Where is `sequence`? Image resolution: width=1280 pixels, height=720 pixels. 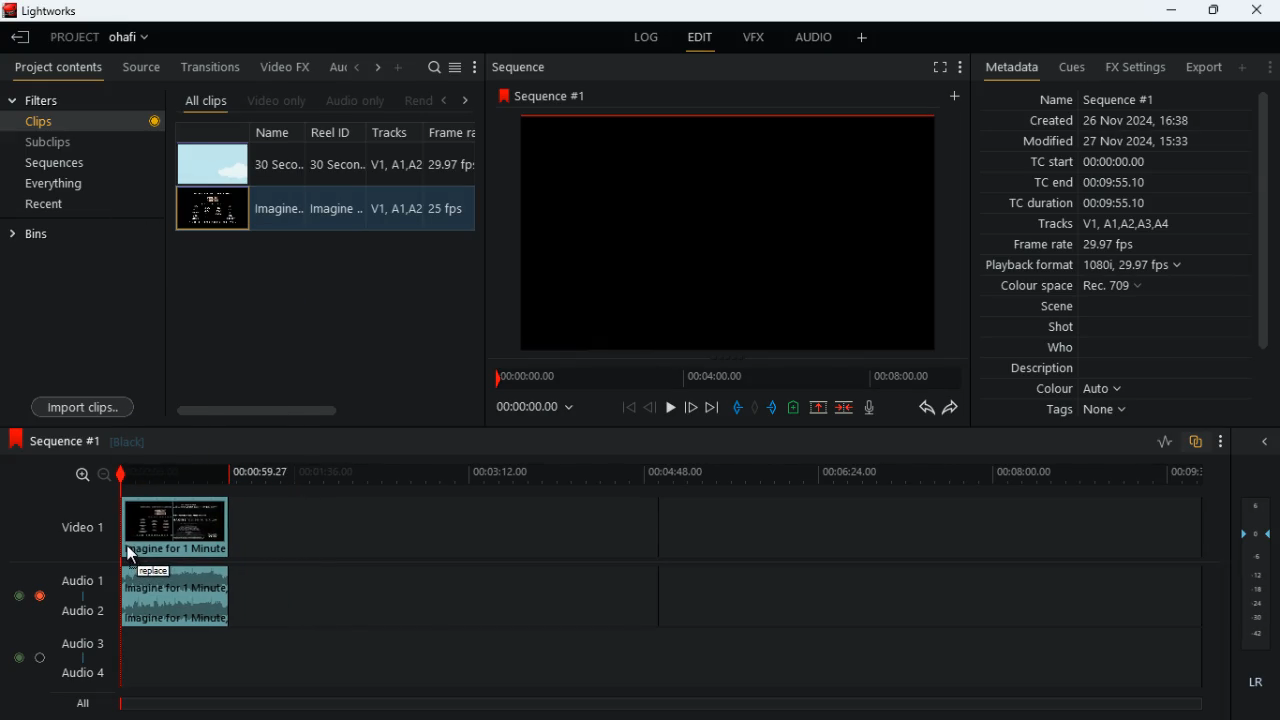 sequence is located at coordinates (55, 438).